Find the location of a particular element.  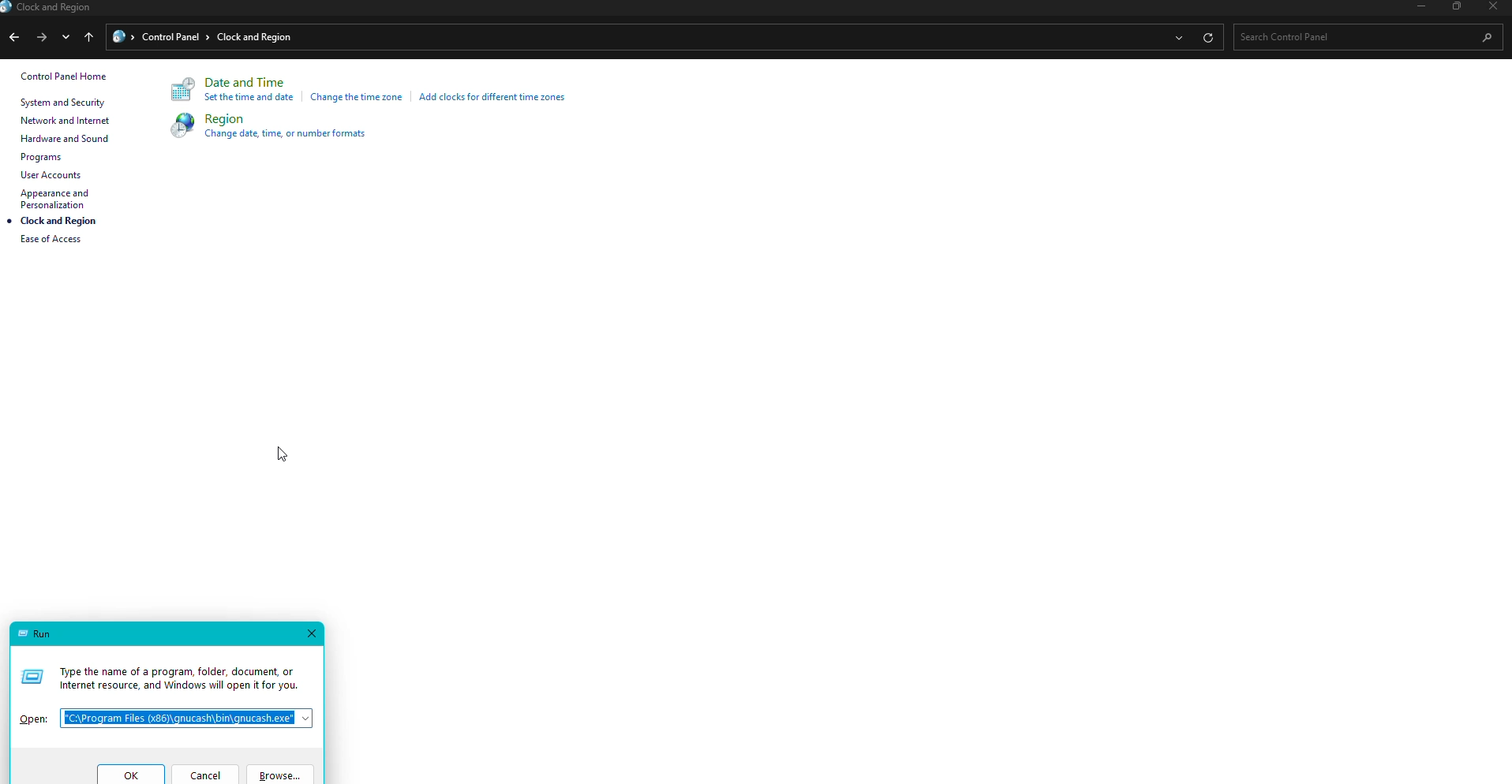

Date and Time is located at coordinates (249, 83).